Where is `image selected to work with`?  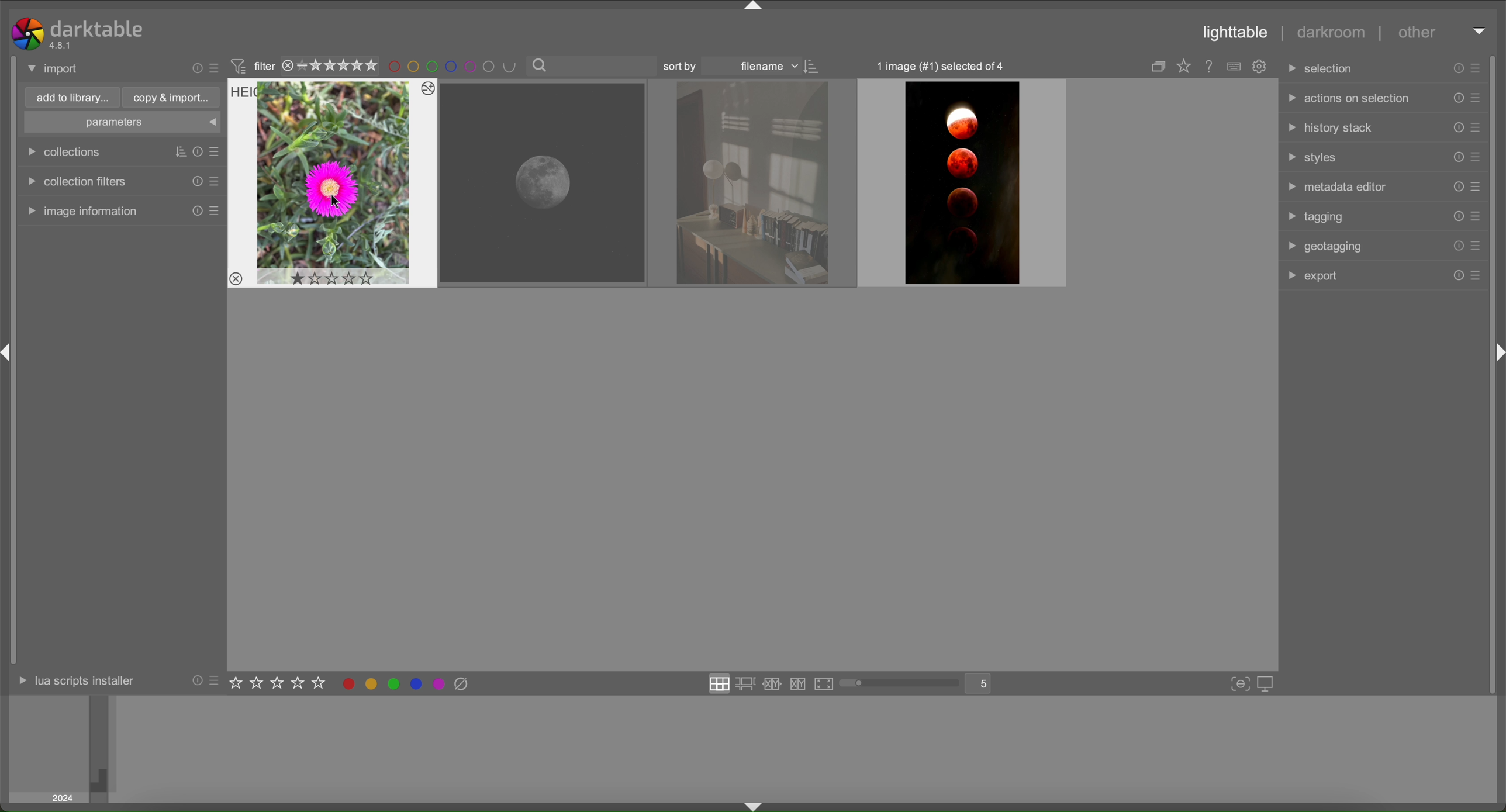 image selected to work with is located at coordinates (333, 183).